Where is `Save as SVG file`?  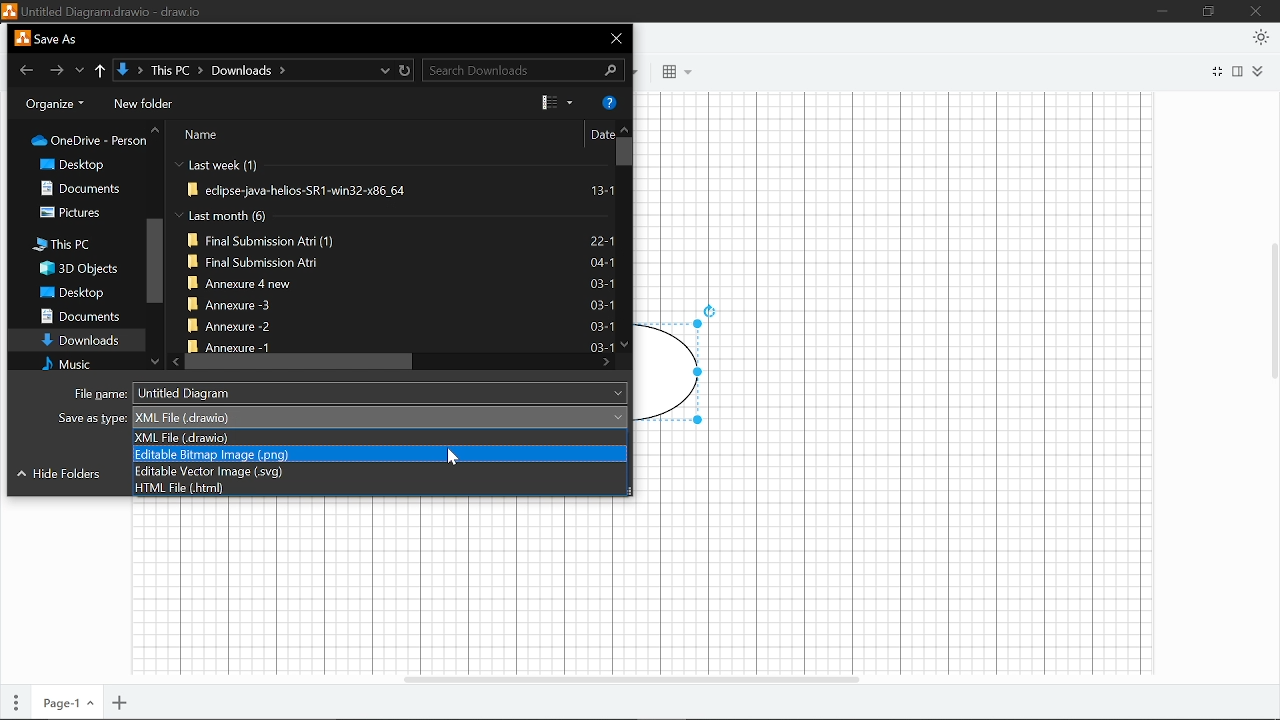 Save as SVG file is located at coordinates (383, 470).